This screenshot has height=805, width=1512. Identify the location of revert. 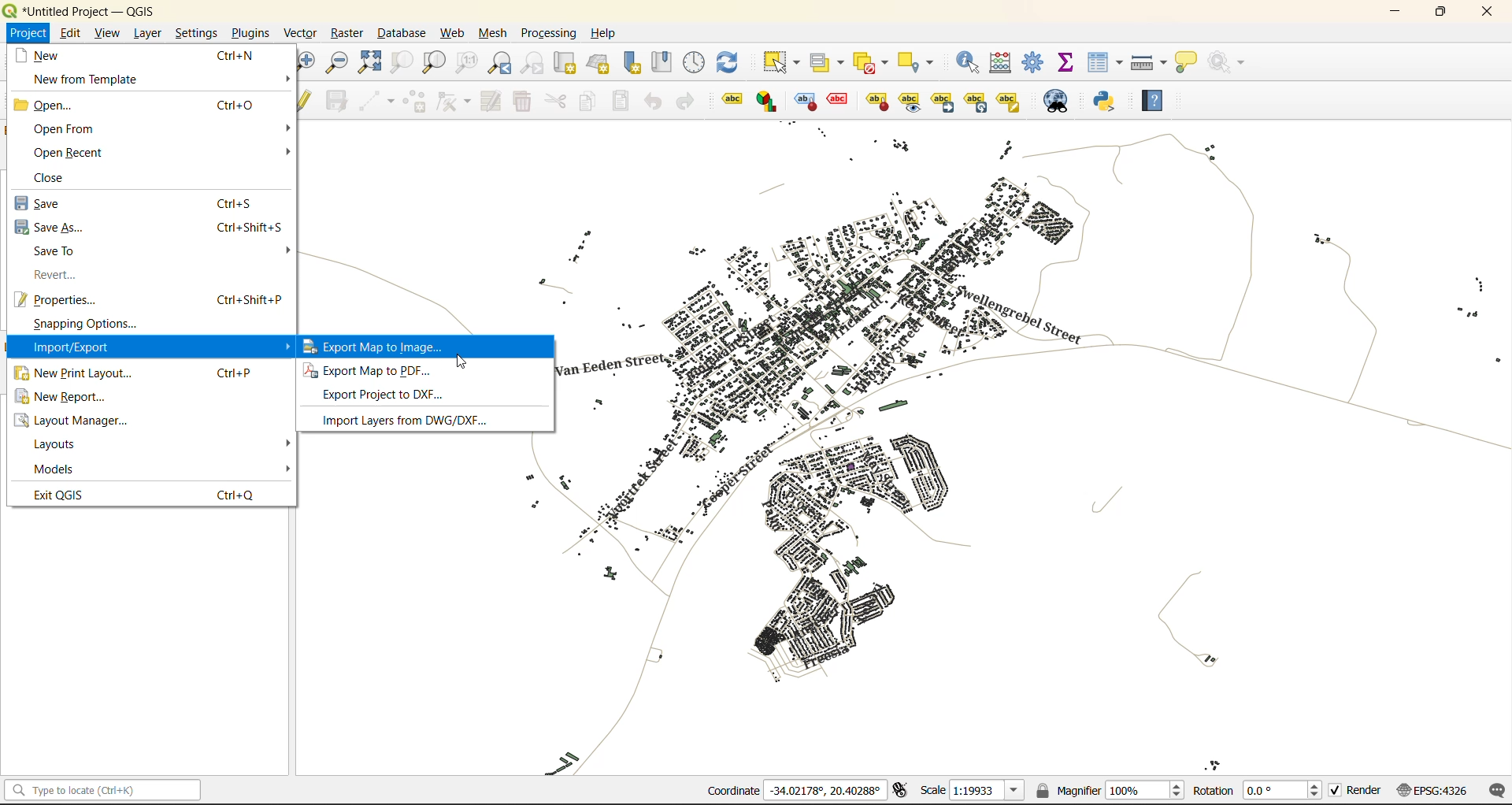
(52, 275).